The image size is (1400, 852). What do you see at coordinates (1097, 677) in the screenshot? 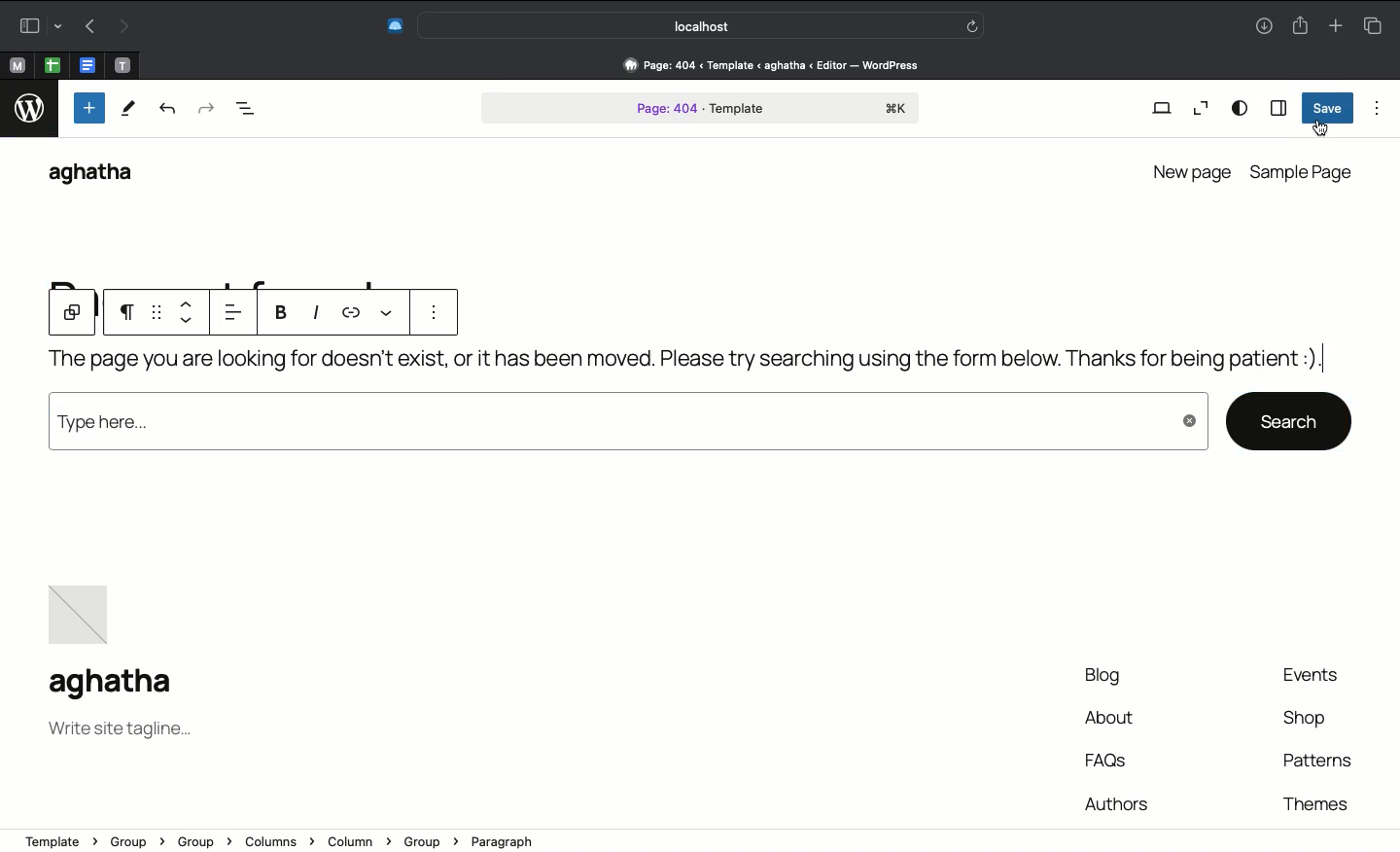
I see `Blog` at bounding box center [1097, 677].